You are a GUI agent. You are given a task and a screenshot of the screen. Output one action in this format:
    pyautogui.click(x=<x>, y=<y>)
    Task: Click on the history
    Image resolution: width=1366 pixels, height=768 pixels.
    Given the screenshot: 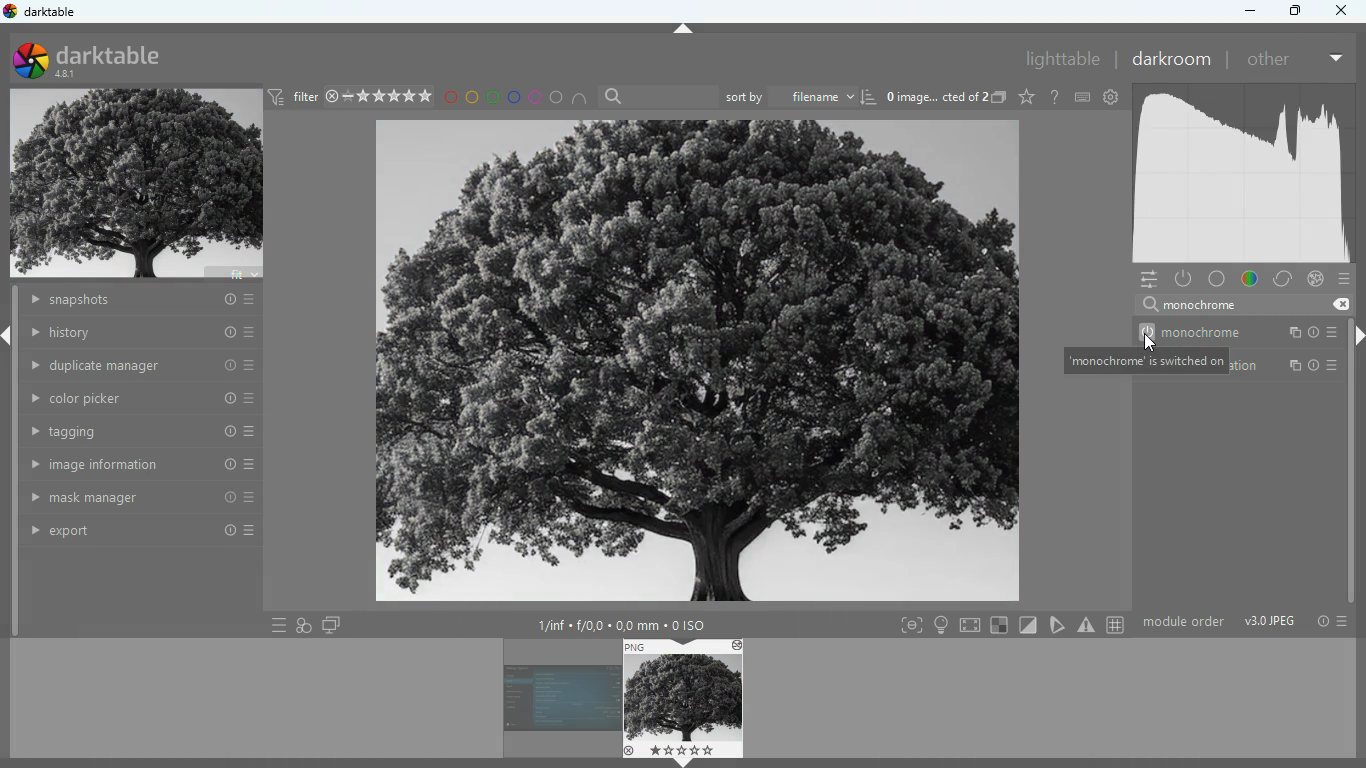 What is the action you would take?
    pyautogui.click(x=144, y=333)
    